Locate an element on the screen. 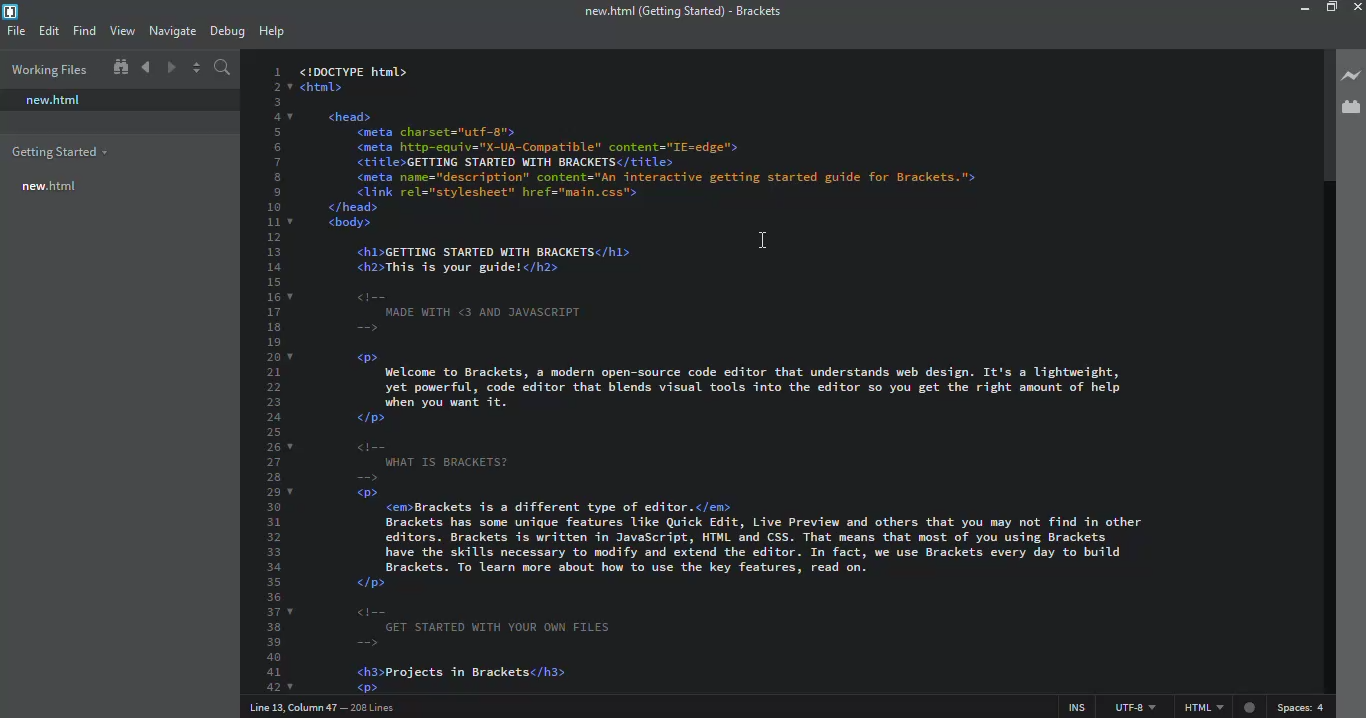  working files is located at coordinates (48, 69).